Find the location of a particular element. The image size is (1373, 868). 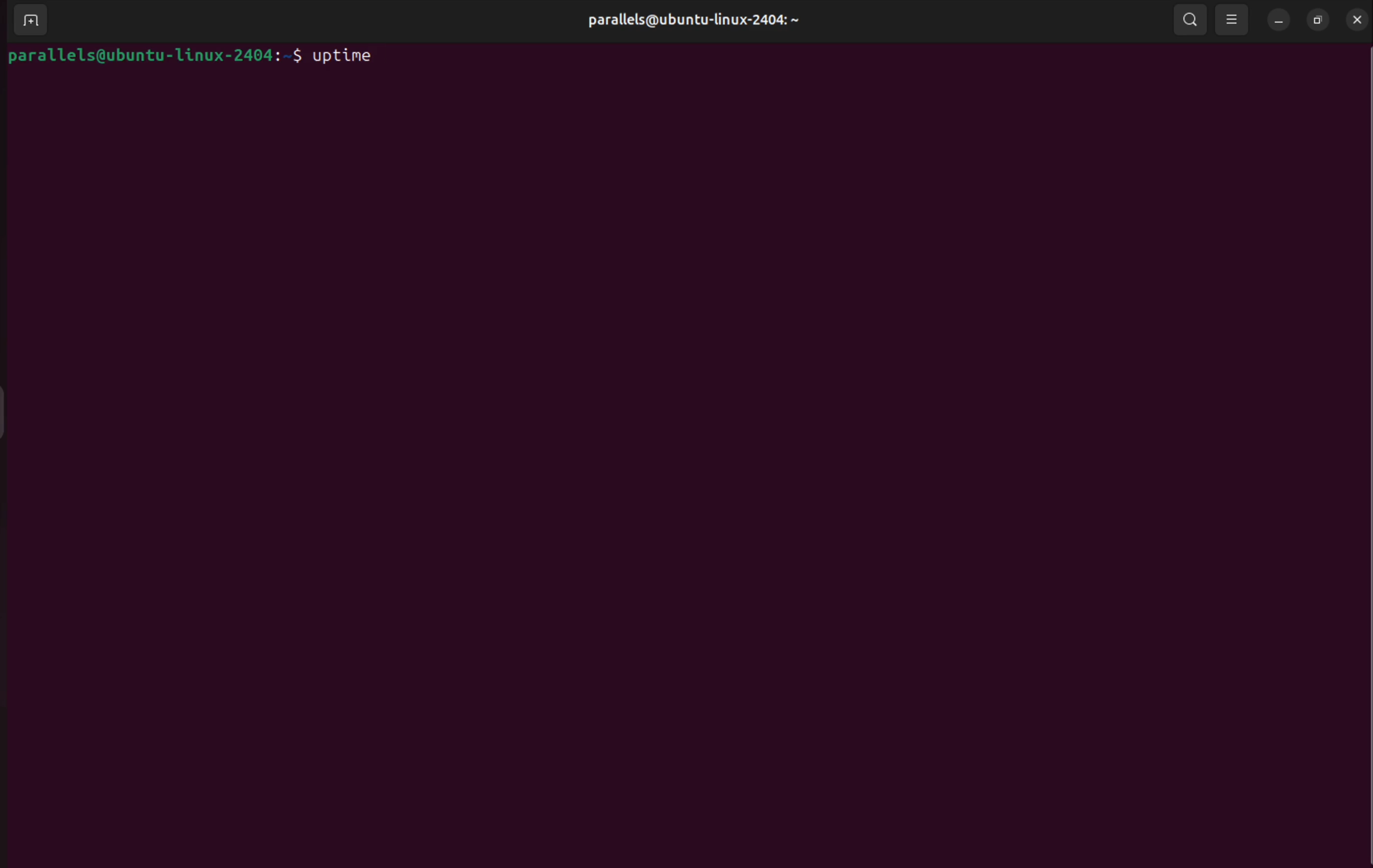

add terminal is located at coordinates (26, 19).